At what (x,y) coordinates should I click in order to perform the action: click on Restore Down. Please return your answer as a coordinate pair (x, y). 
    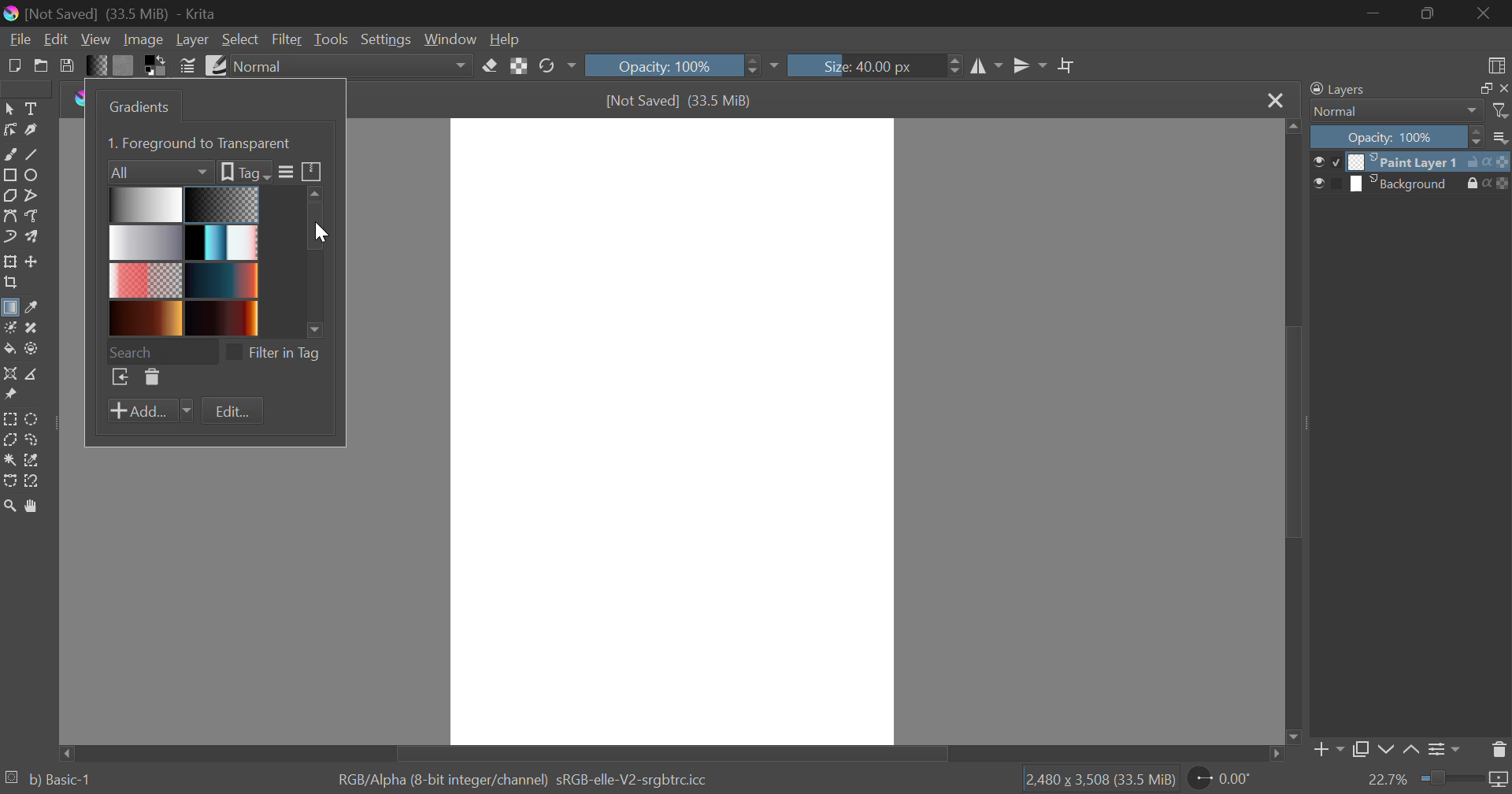
    Looking at the image, I should click on (1375, 13).